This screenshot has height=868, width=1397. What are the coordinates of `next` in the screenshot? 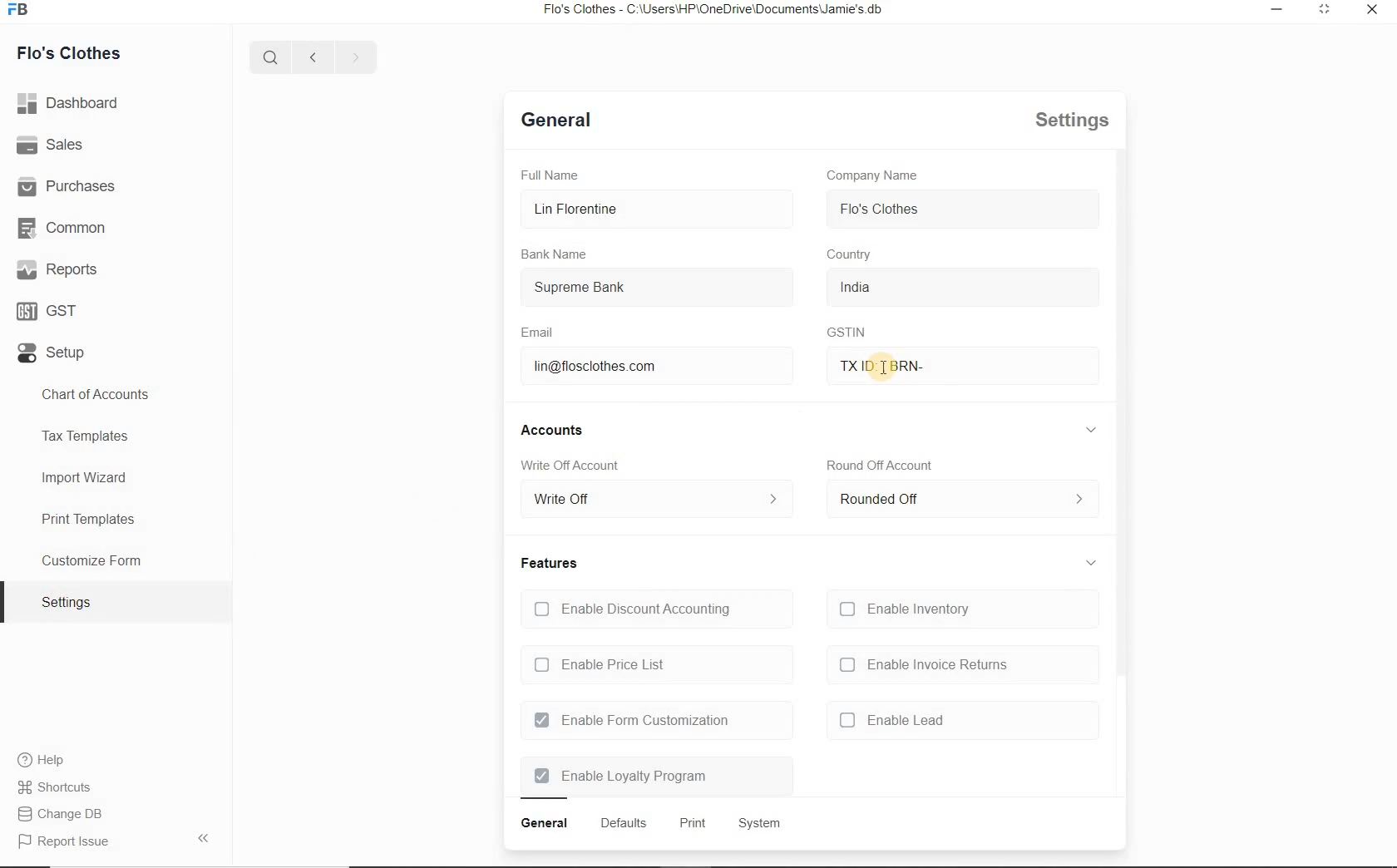 It's located at (353, 57).